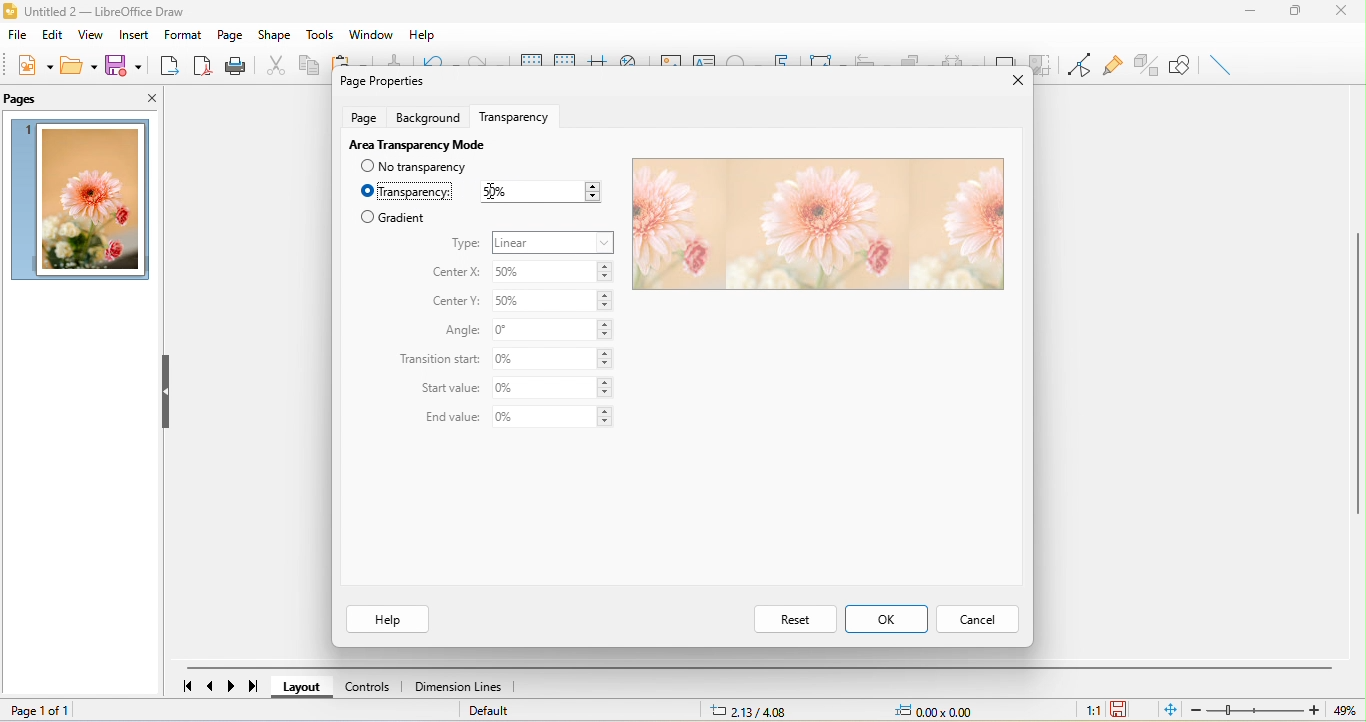 The width and height of the screenshot is (1366, 722). I want to click on first page, so click(187, 684).